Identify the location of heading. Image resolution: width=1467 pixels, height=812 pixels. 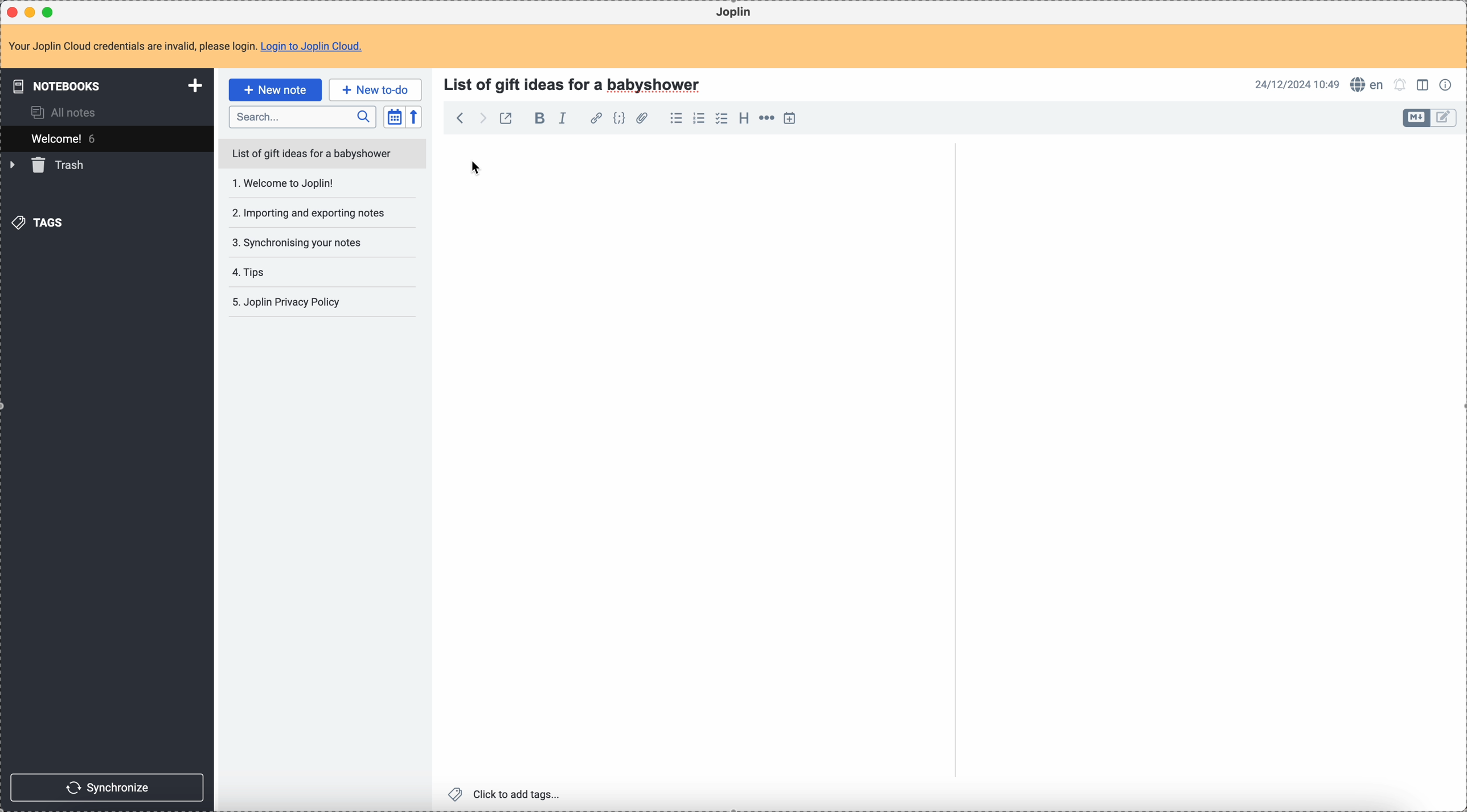
(744, 121).